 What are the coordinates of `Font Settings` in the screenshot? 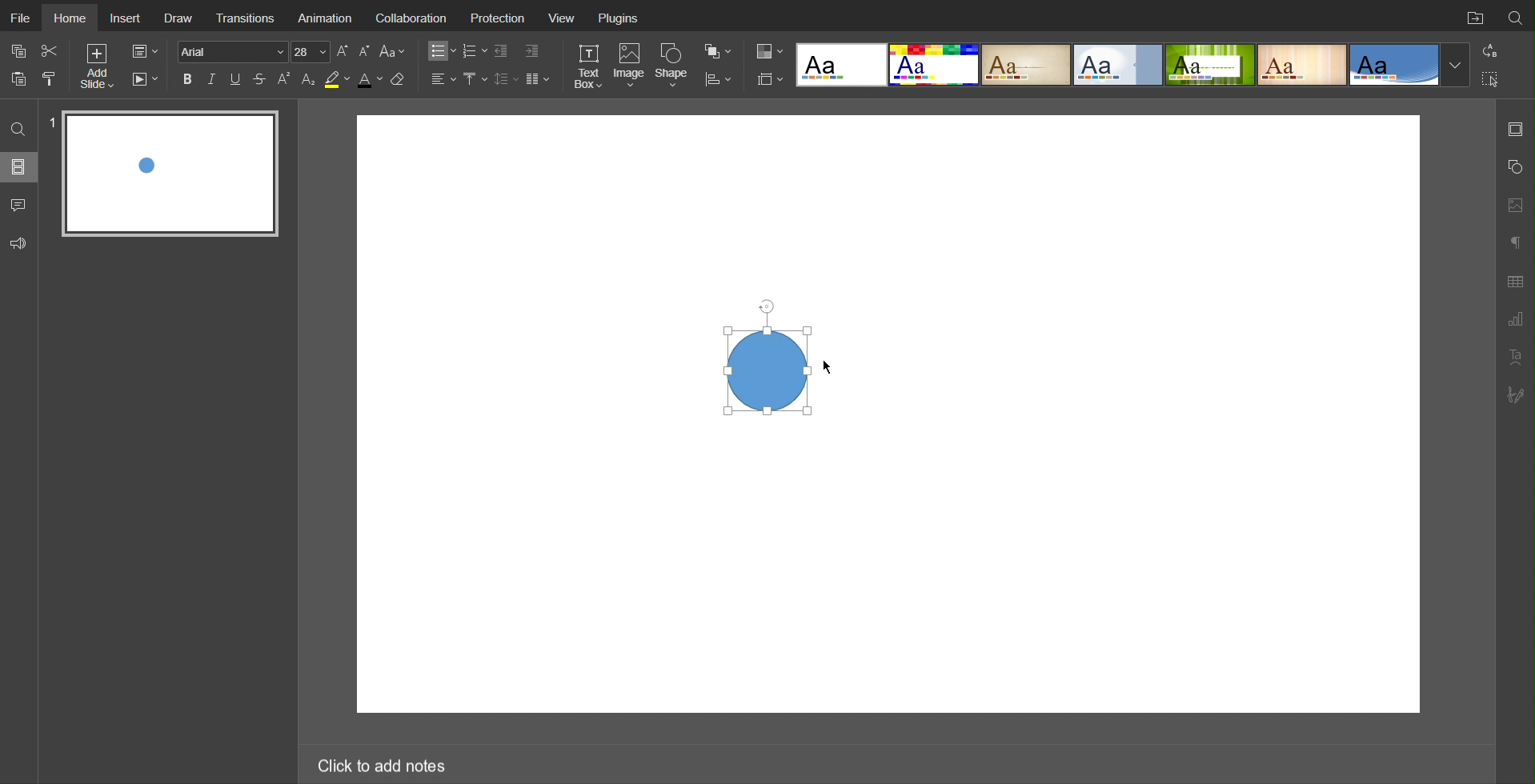 It's located at (251, 51).